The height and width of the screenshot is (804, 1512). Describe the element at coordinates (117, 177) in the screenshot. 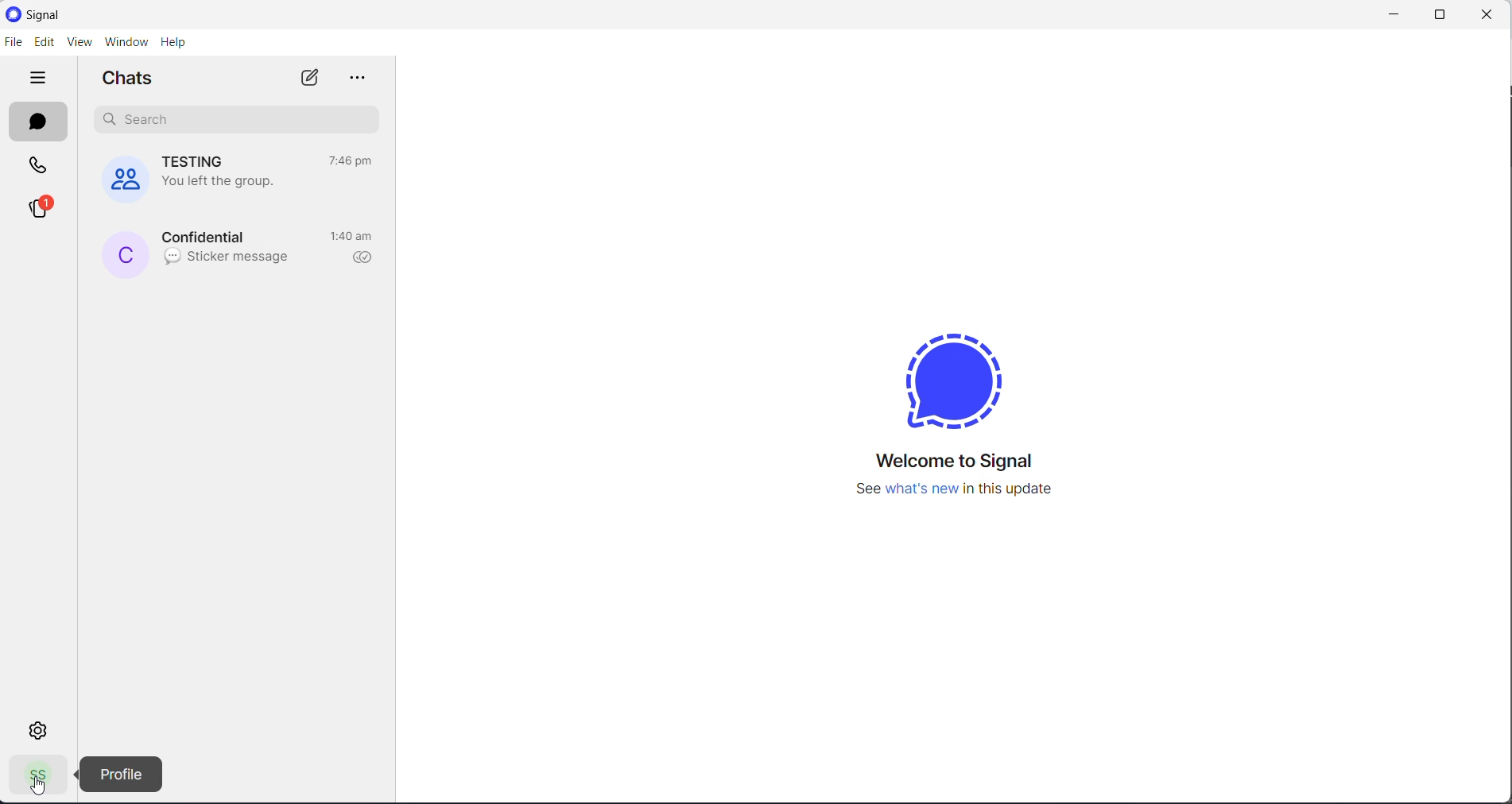

I see `group cover photos` at that location.